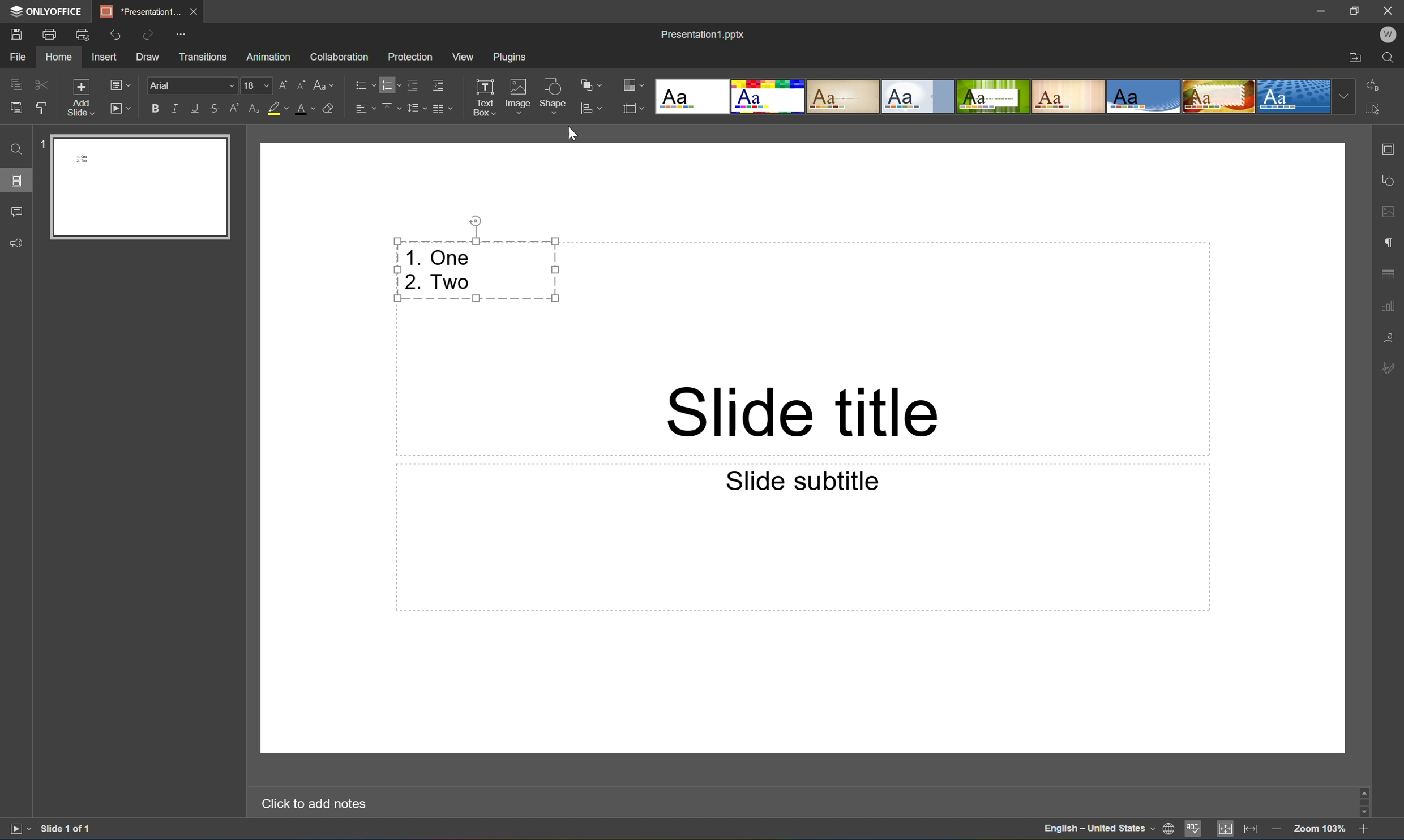  Describe the element at coordinates (121, 37) in the screenshot. I see `Undo` at that location.